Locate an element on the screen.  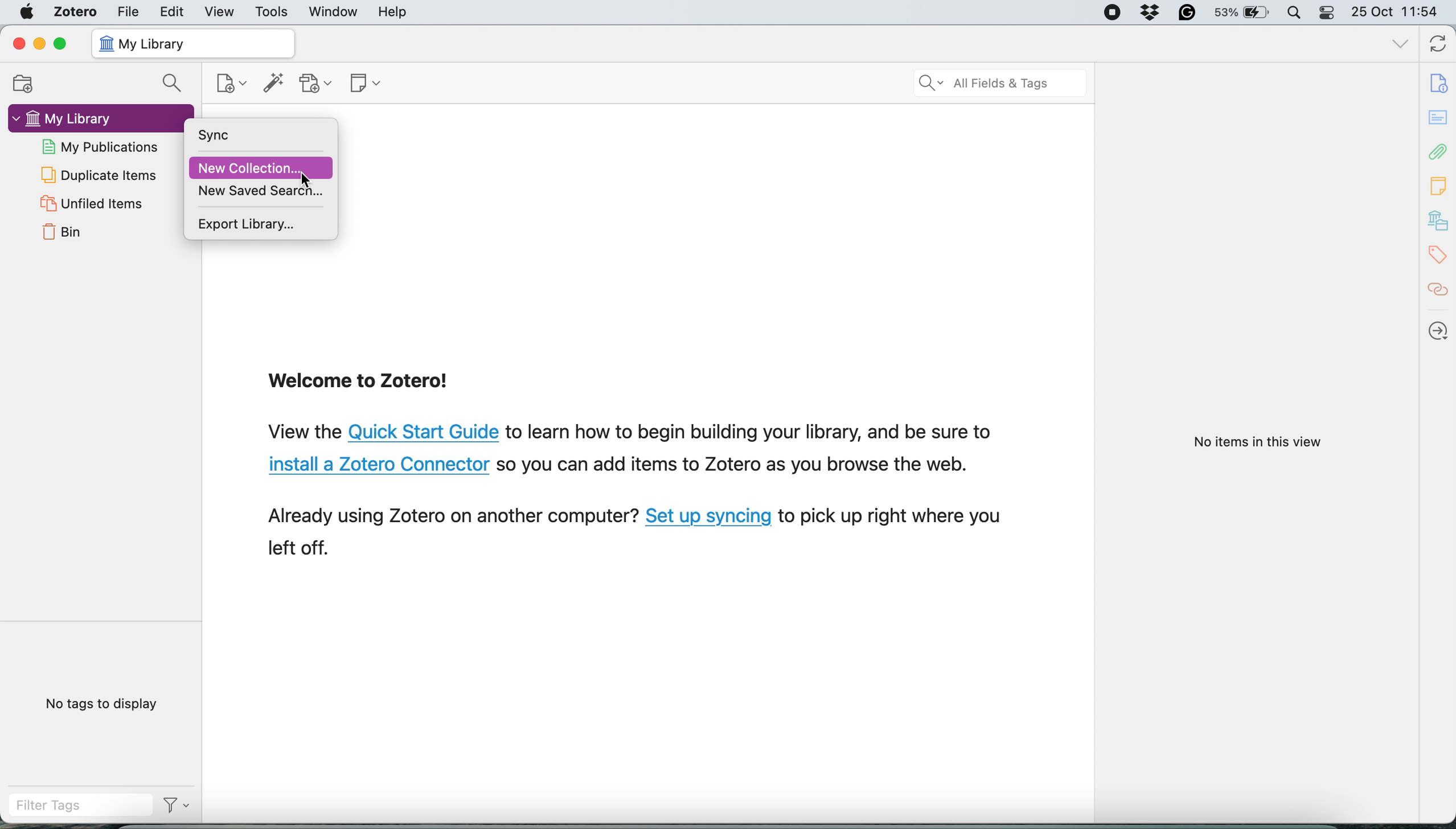
my publications is located at coordinates (103, 145).